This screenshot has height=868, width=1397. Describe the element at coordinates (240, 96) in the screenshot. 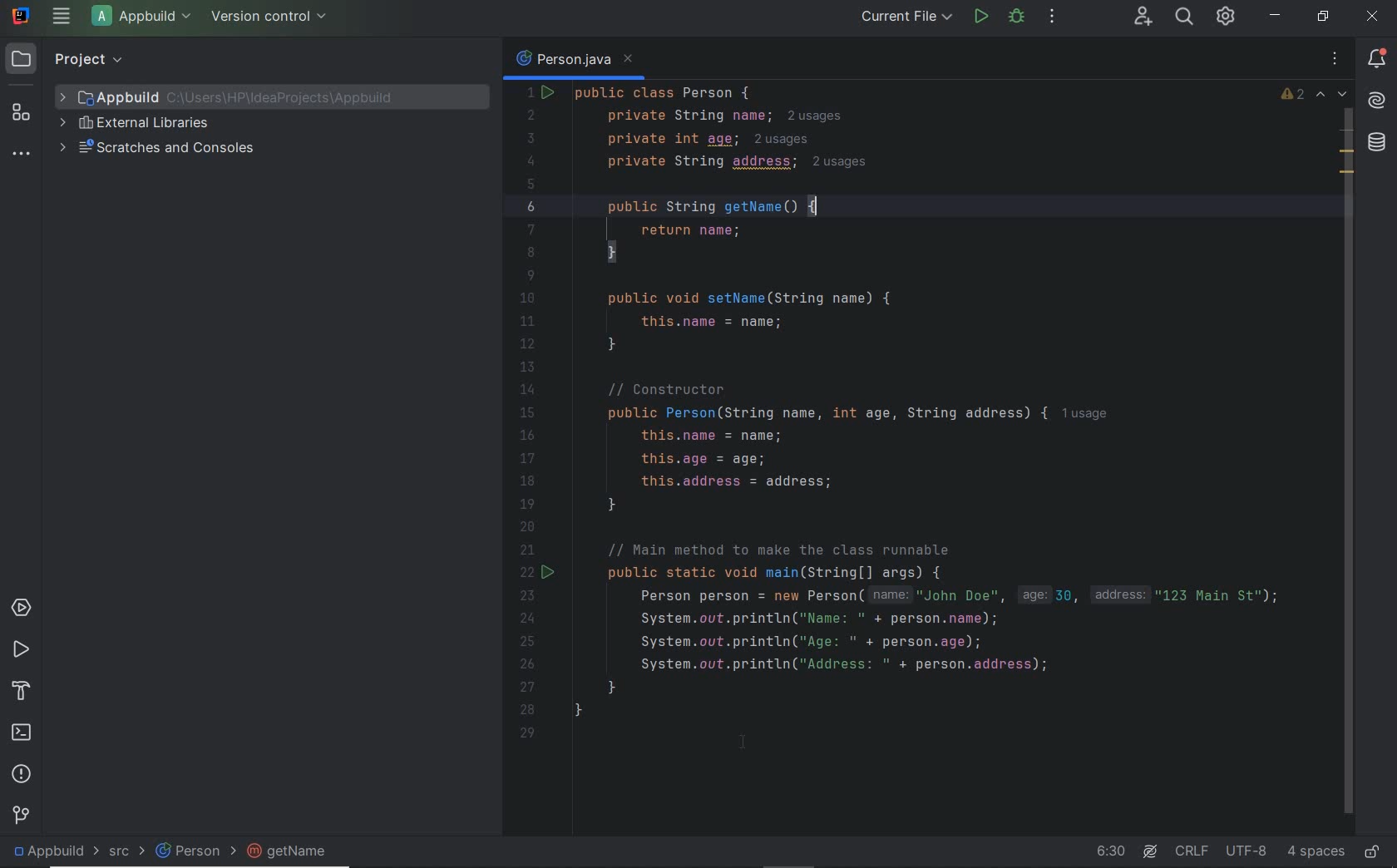

I see `project file name` at that location.